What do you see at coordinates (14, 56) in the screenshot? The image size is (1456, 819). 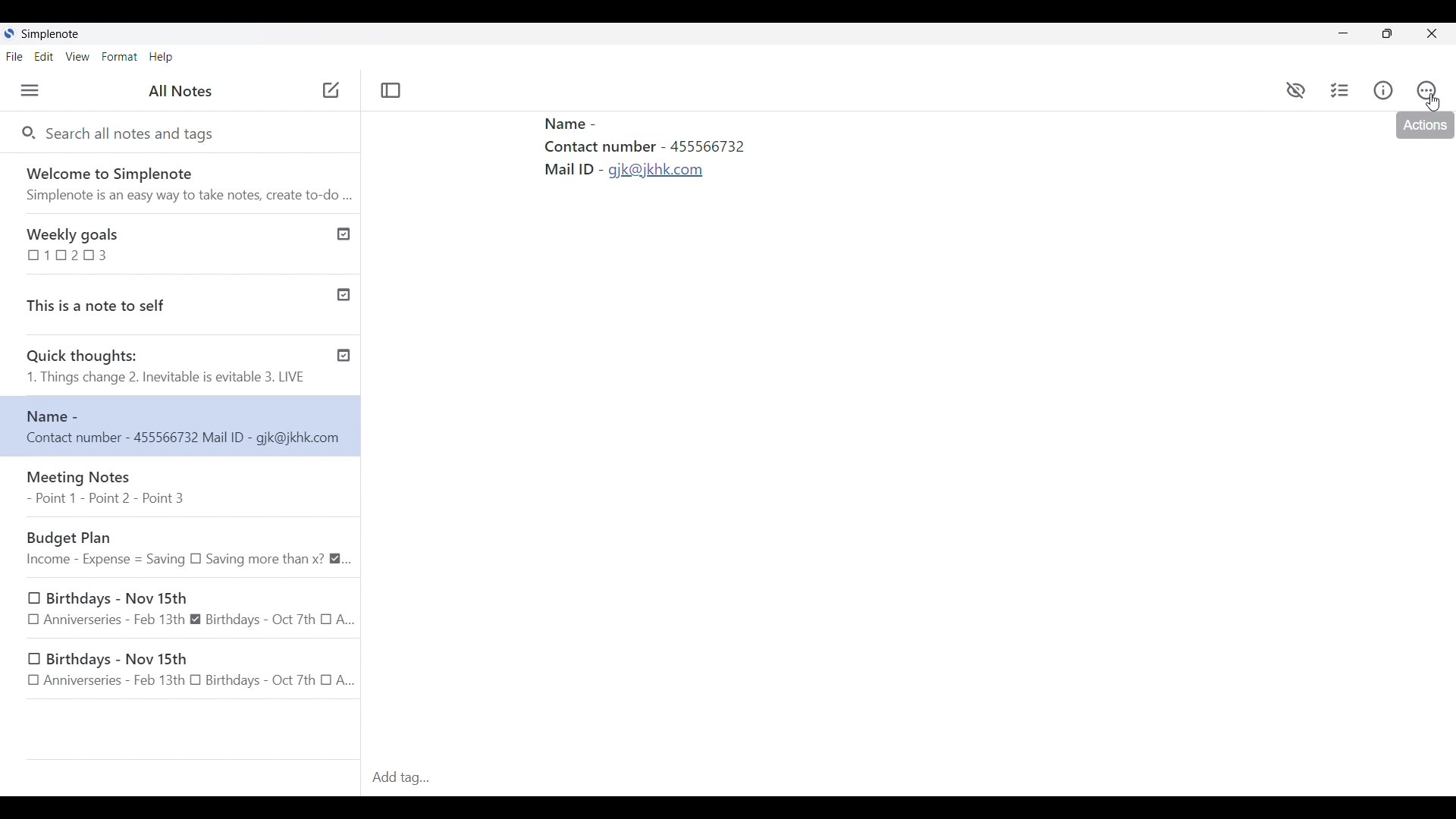 I see `File menu` at bounding box center [14, 56].